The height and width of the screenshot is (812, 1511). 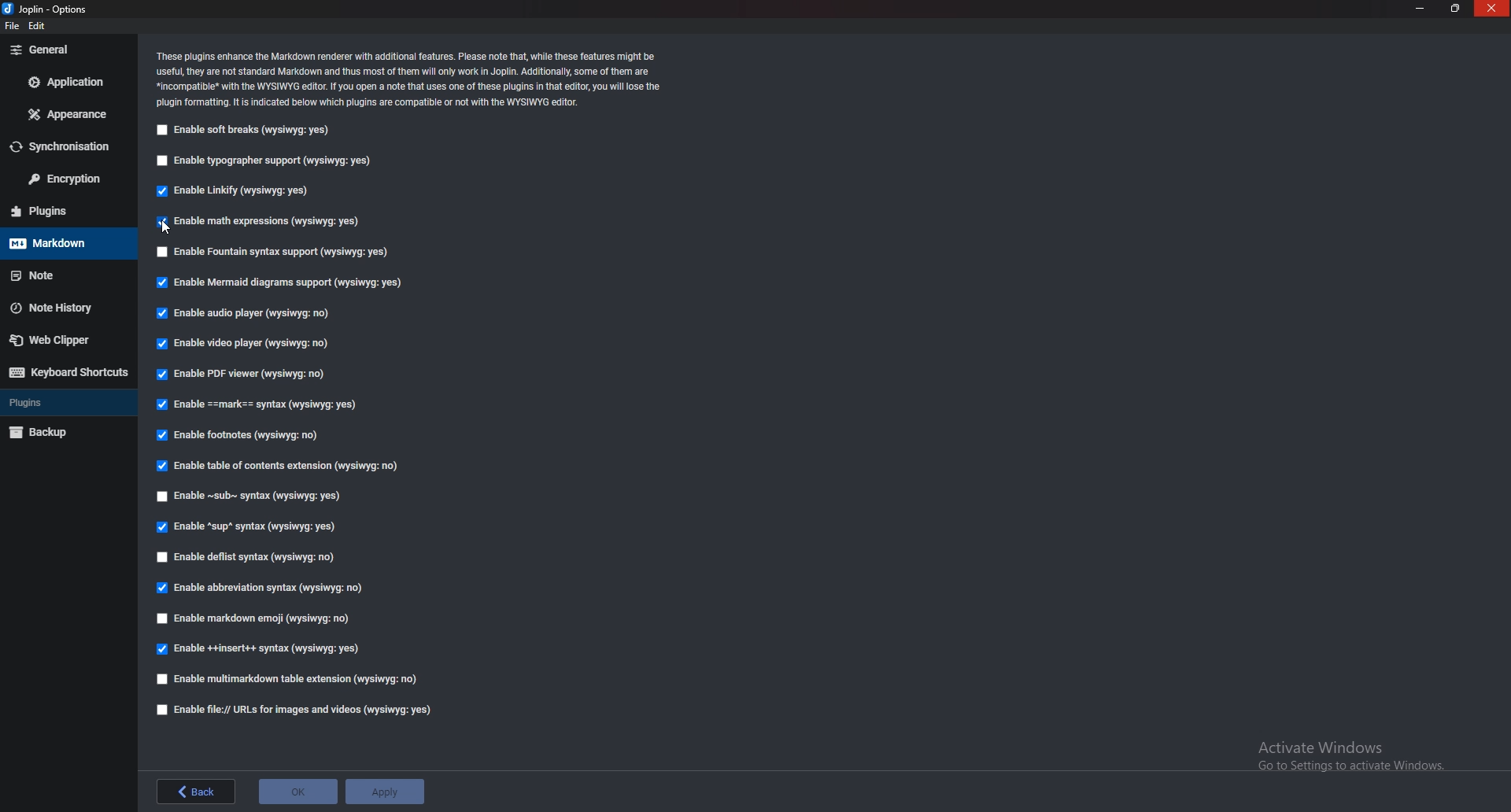 What do you see at coordinates (166, 227) in the screenshot?
I see `cursor` at bounding box center [166, 227].